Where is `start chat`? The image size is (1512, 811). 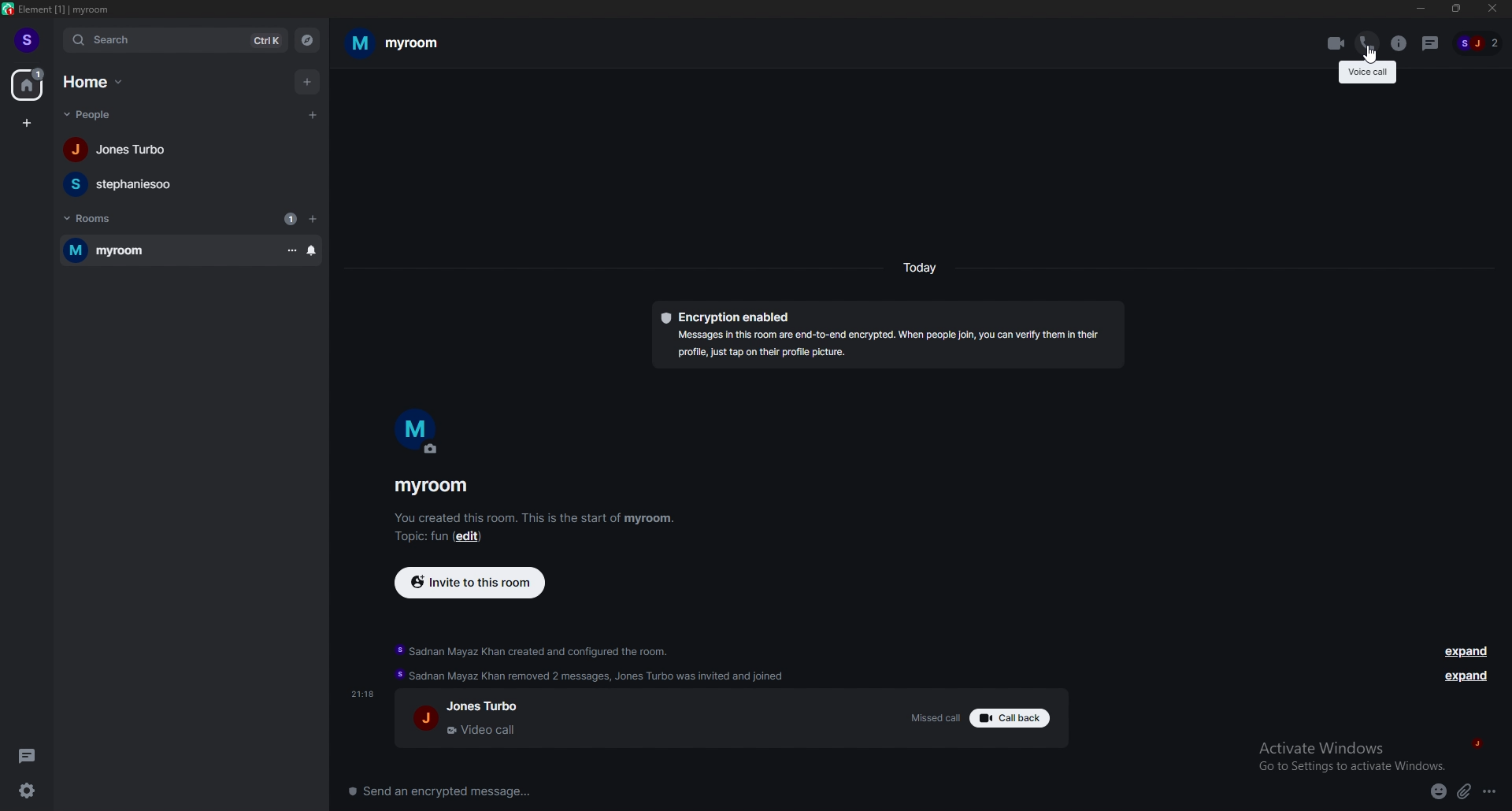 start chat is located at coordinates (314, 115).